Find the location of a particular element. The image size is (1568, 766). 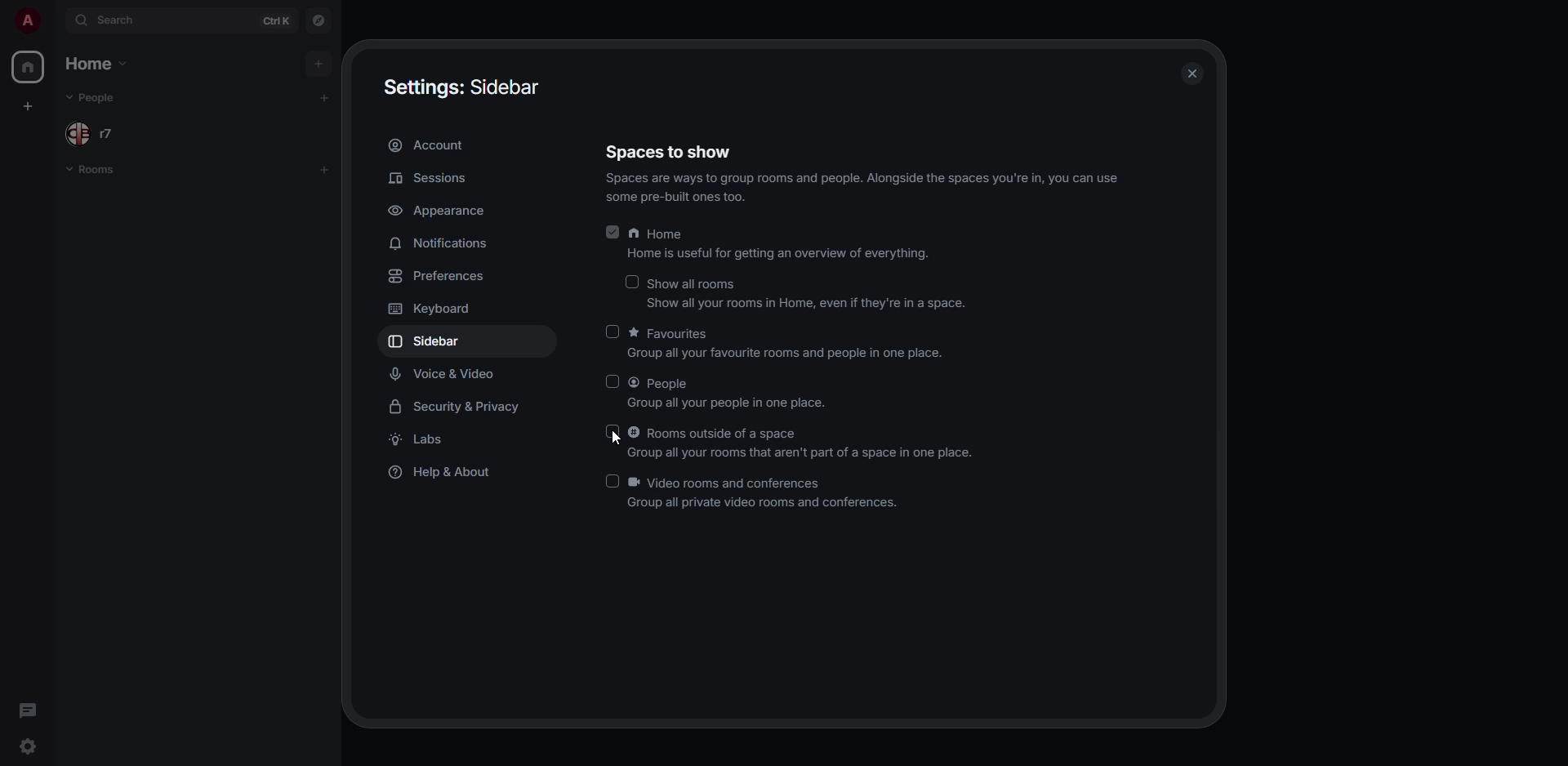

spaces to show is located at coordinates (863, 172).